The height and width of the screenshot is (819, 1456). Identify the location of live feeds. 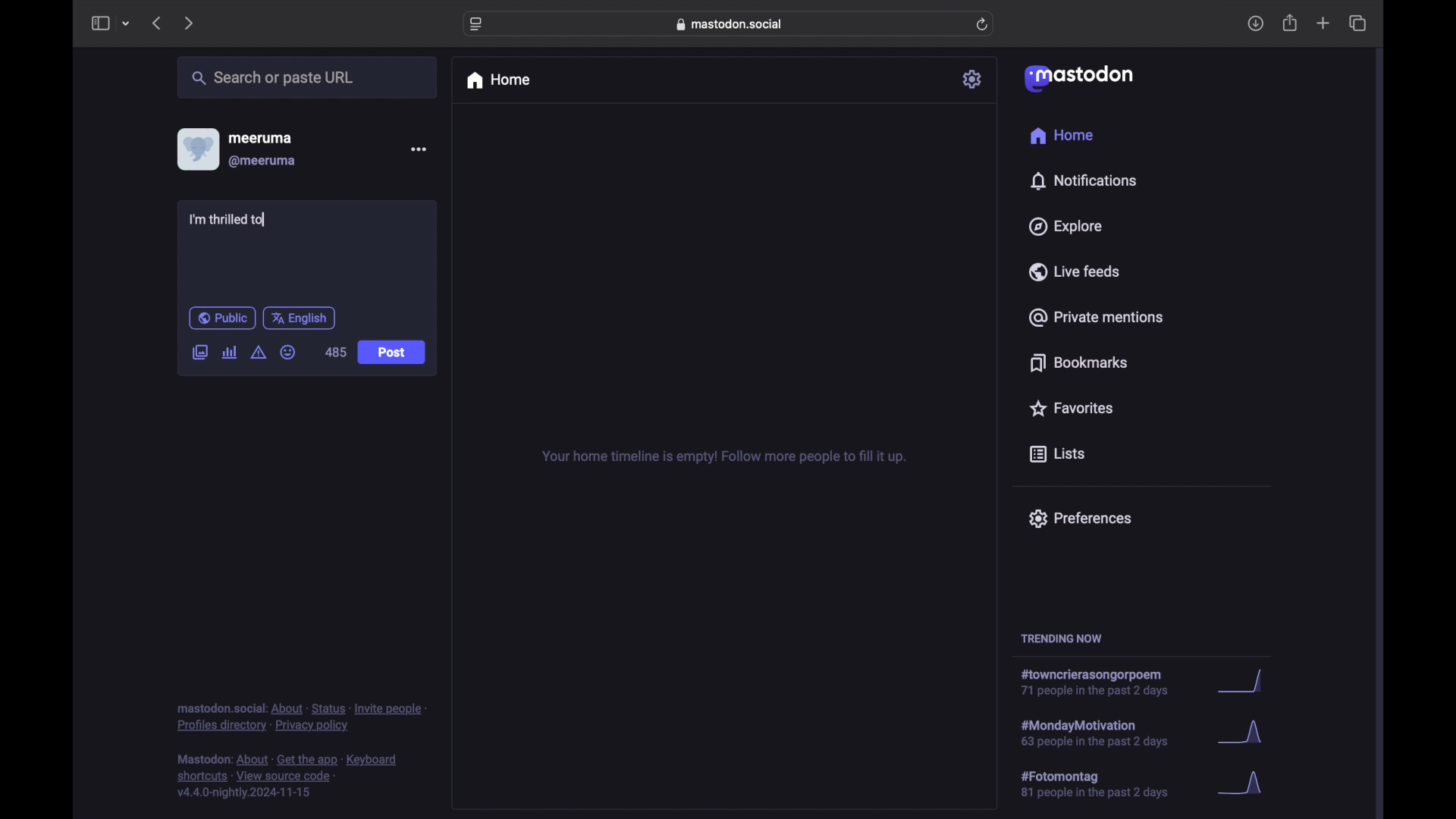
(1073, 271).